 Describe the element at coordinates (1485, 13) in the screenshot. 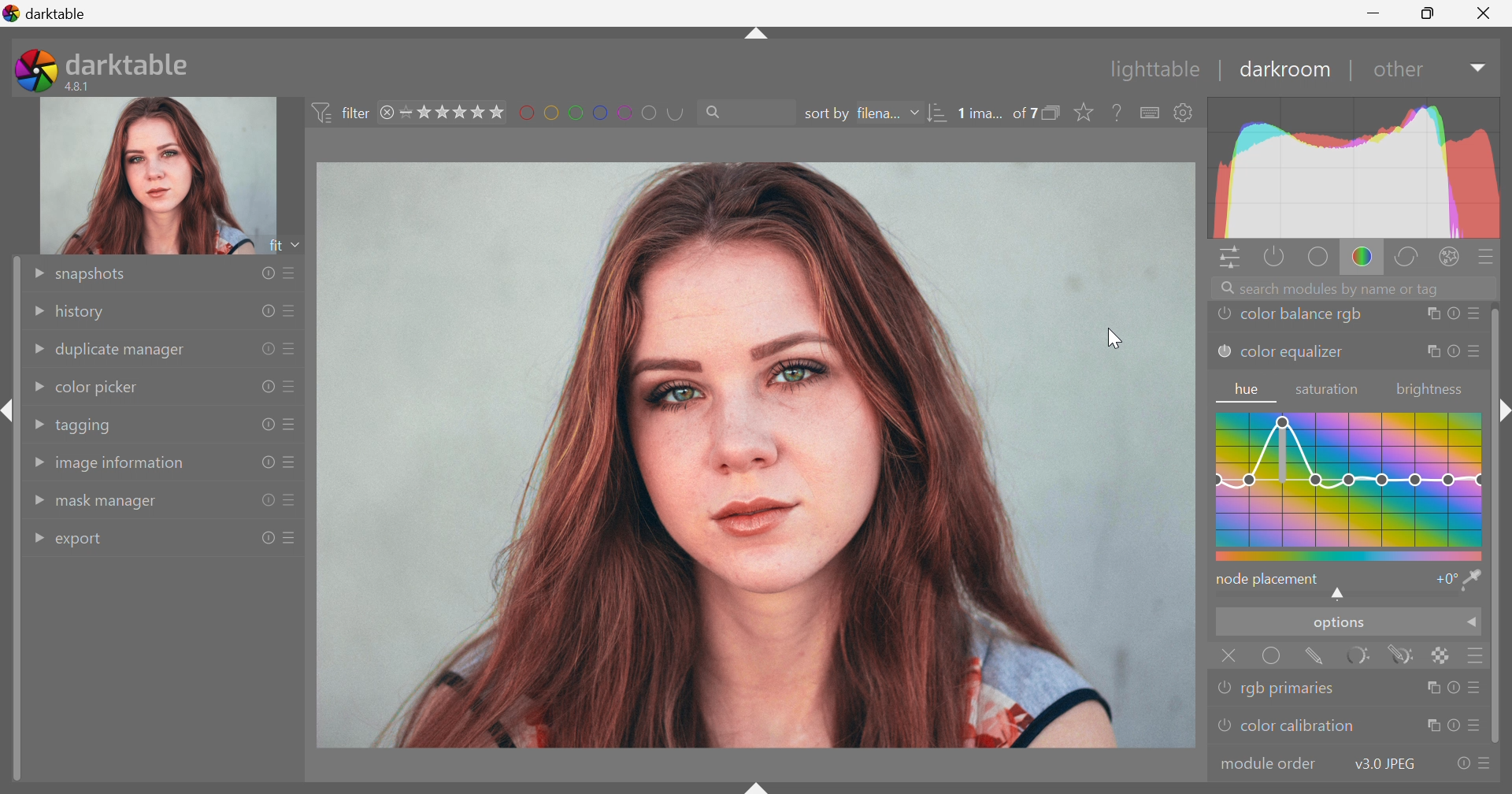

I see `` at that location.